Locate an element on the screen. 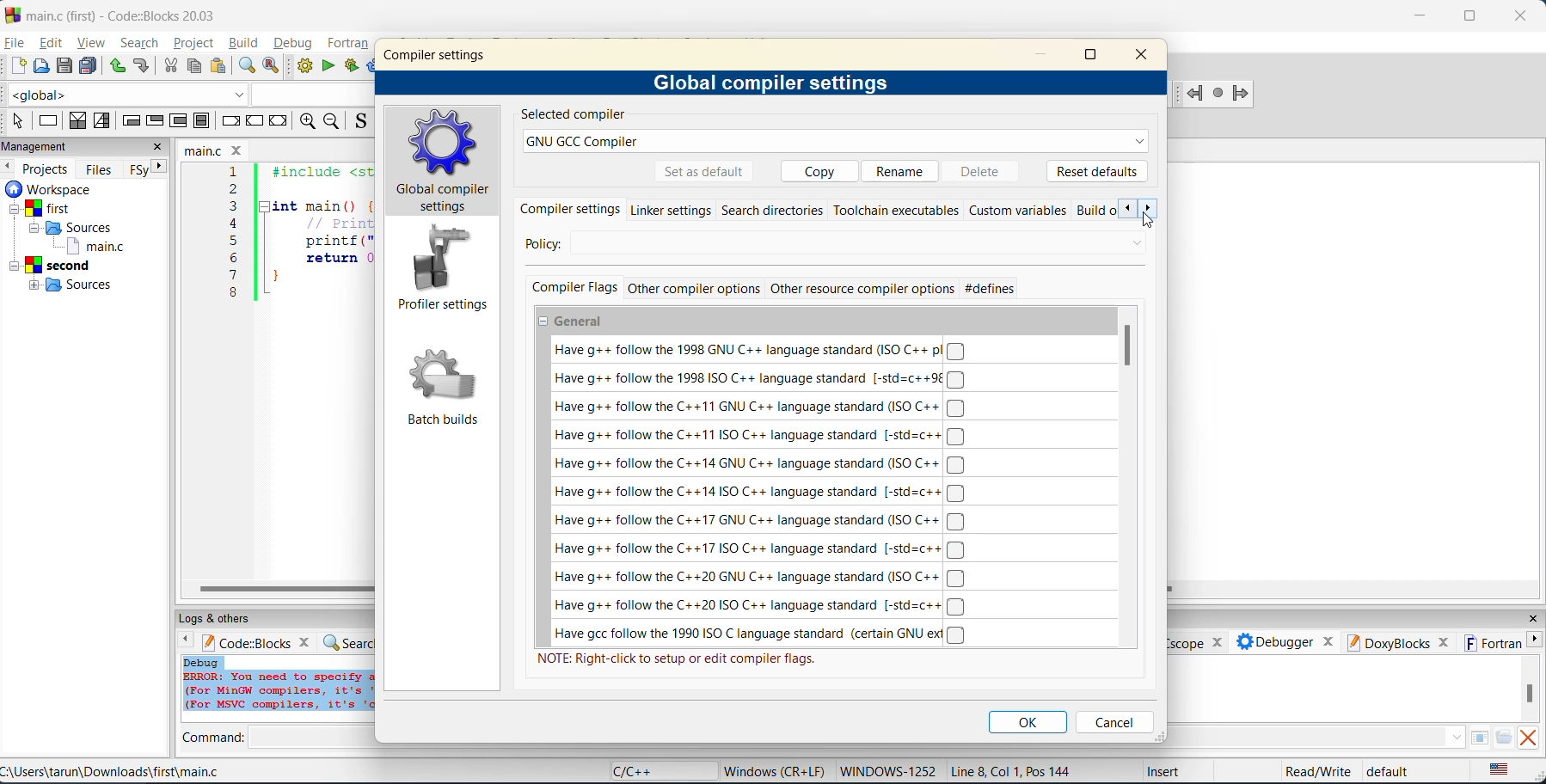  compiler flags is located at coordinates (574, 288).